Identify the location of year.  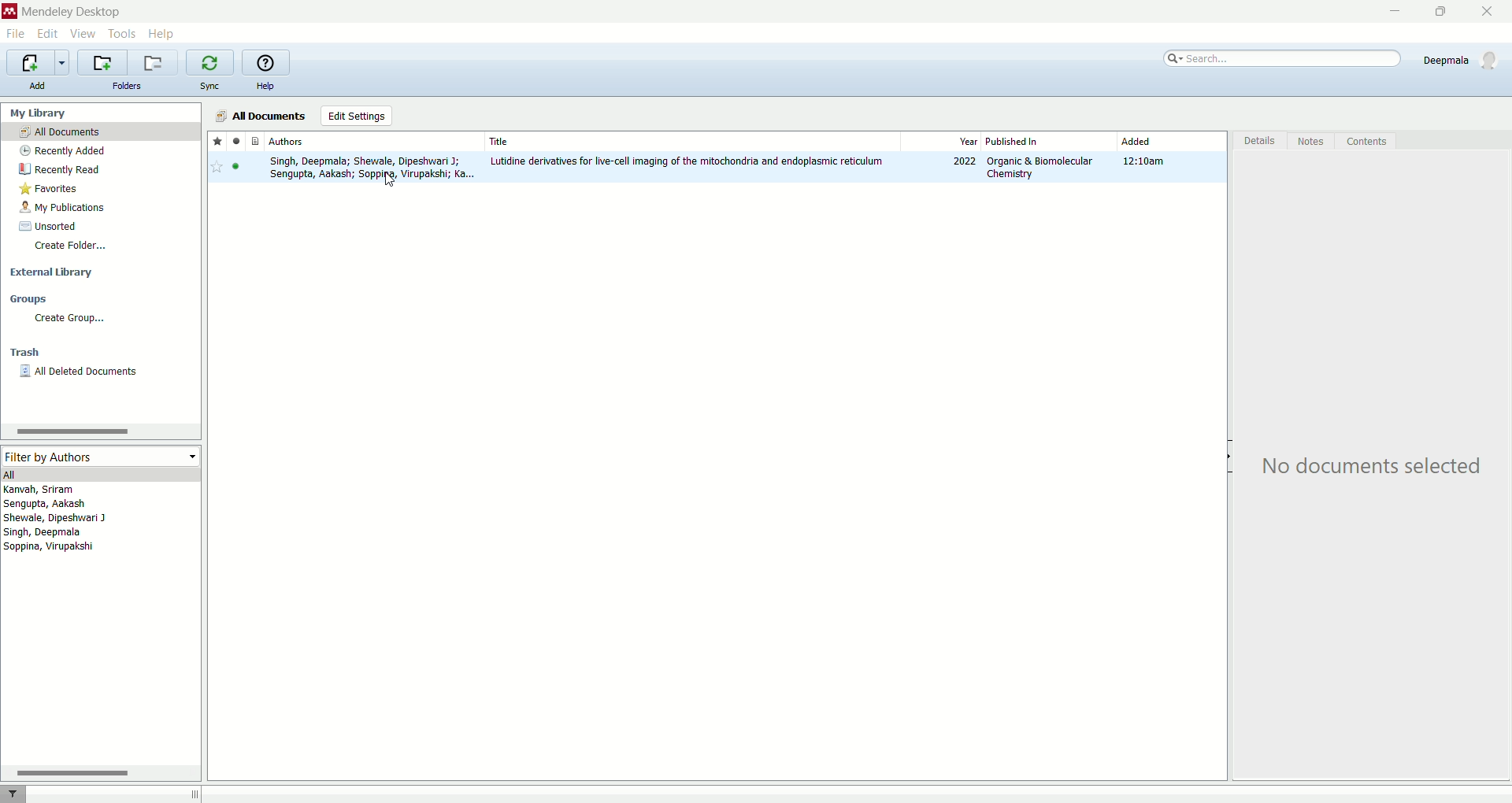
(968, 142).